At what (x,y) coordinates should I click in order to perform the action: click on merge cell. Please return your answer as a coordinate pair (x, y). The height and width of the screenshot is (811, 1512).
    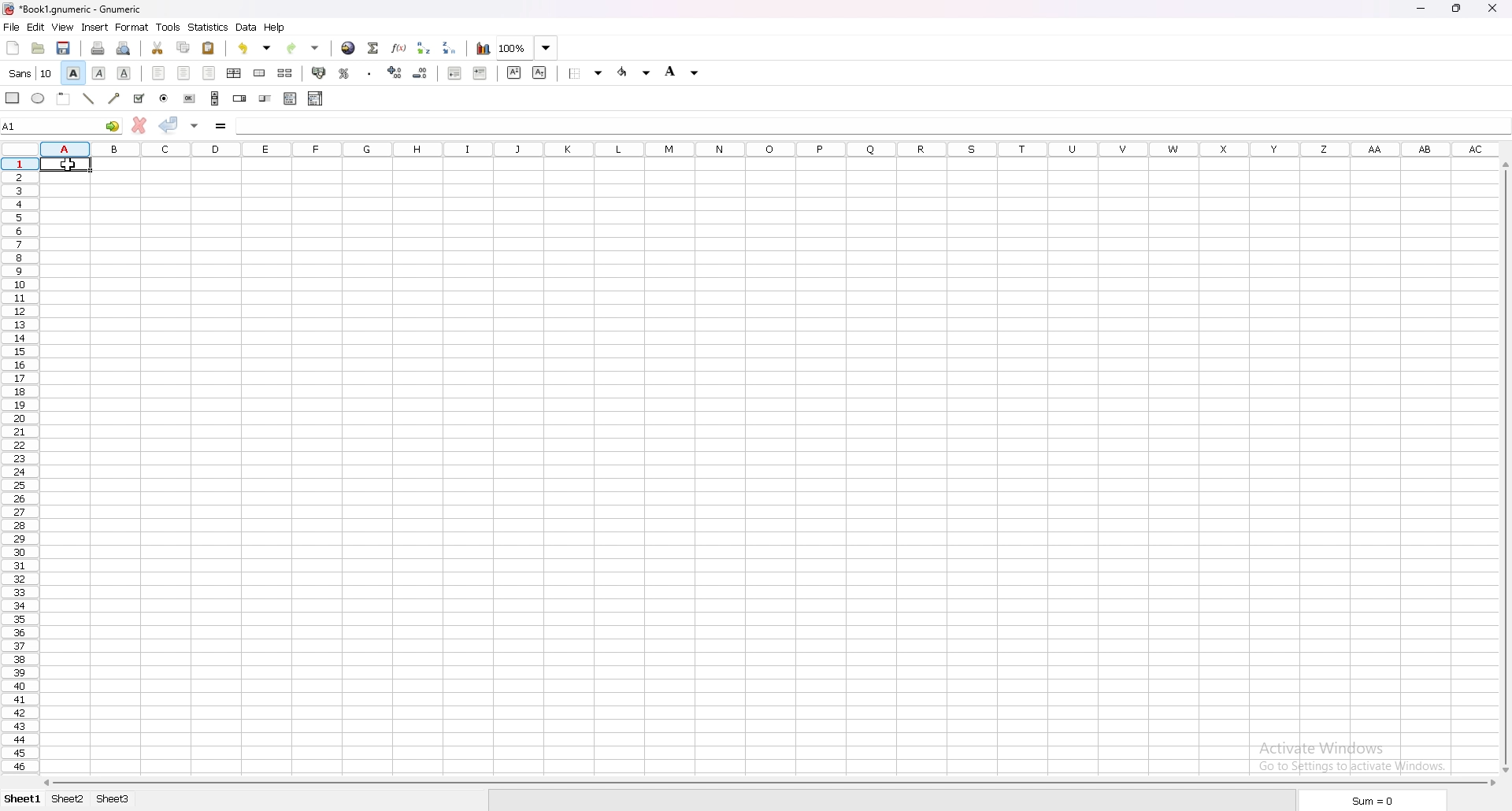
    Looking at the image, I should click on (261, 72).